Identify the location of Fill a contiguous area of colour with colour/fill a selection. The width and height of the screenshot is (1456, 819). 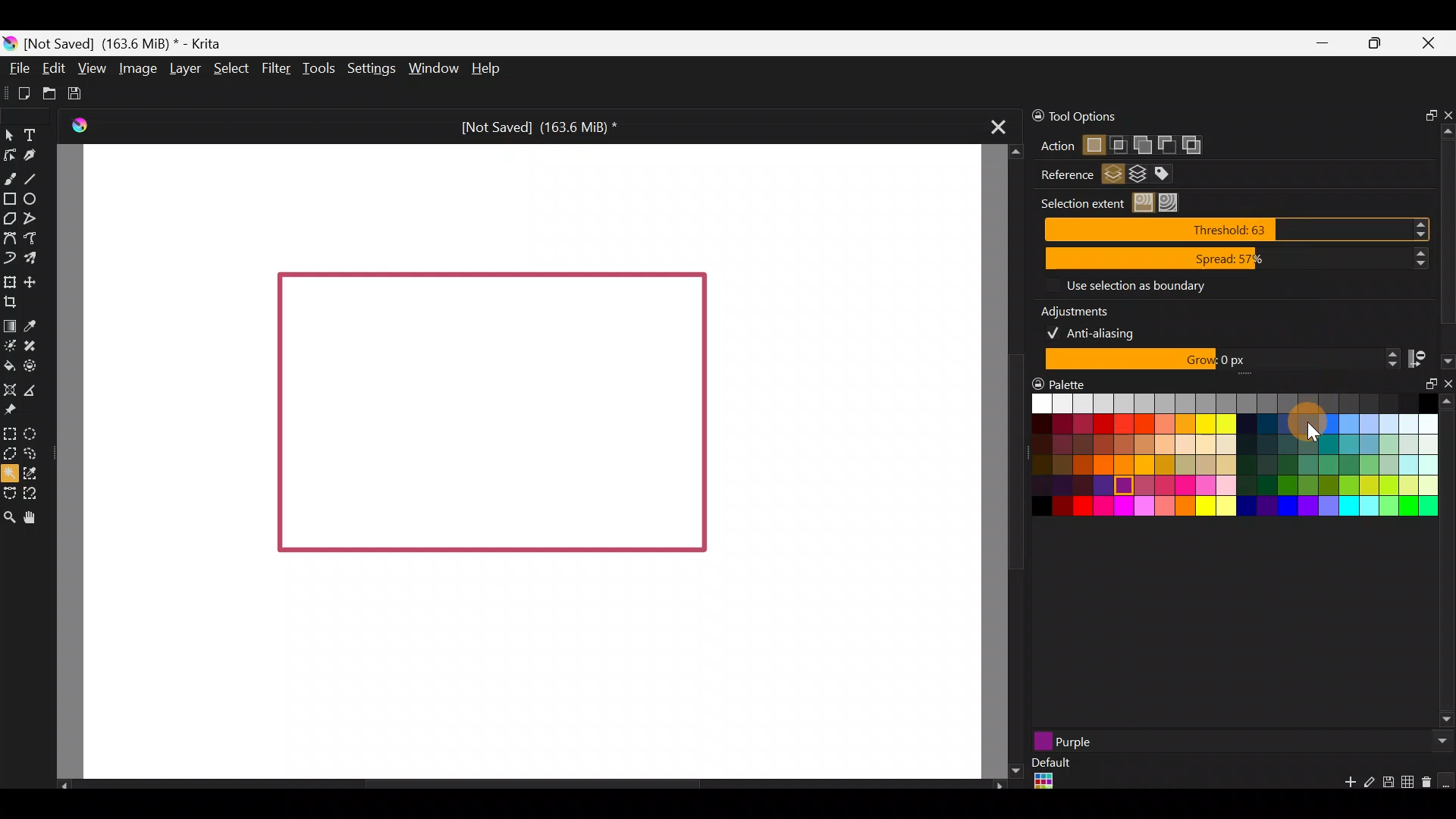
(9, 365).